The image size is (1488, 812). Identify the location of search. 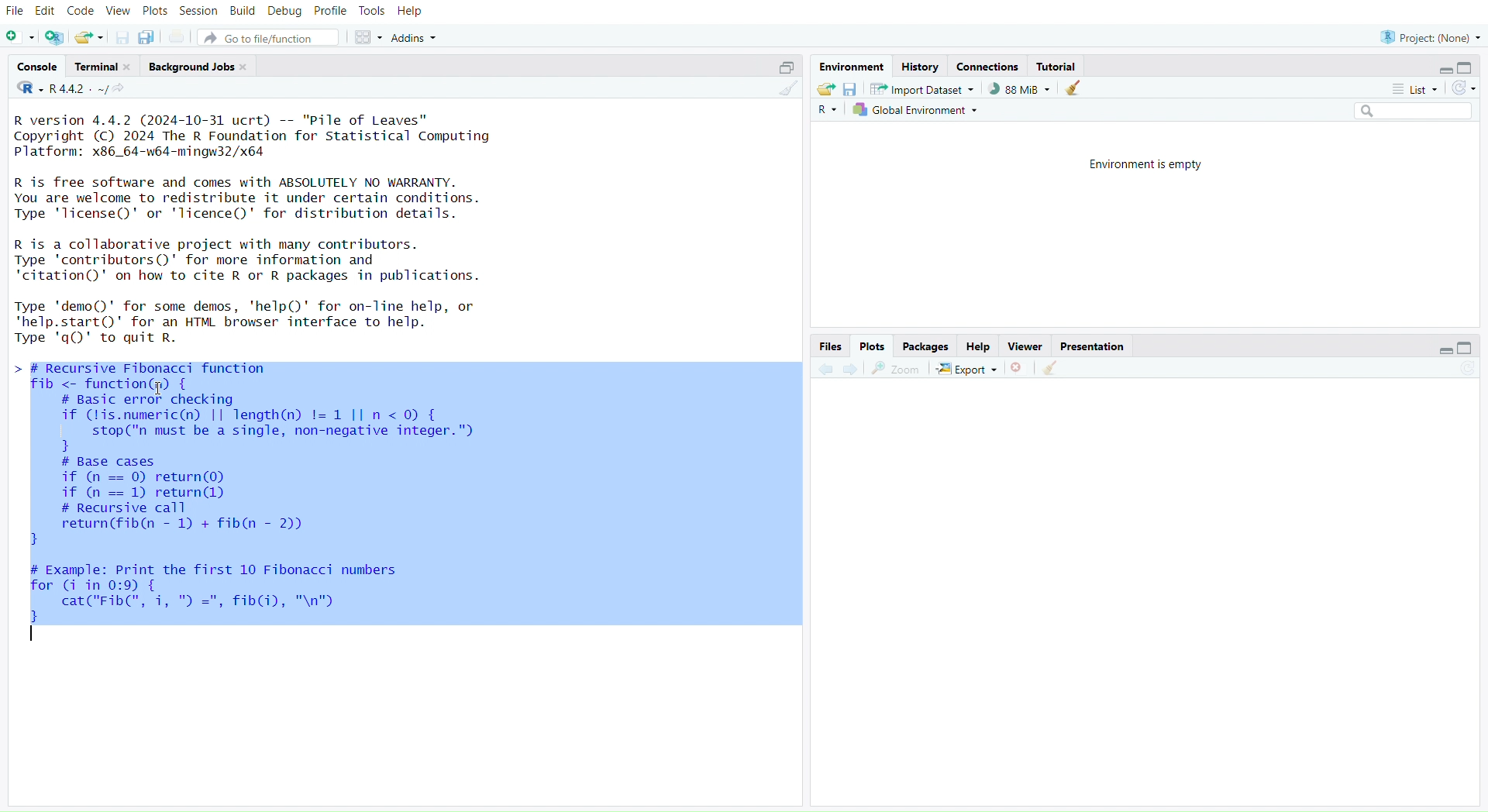
(1407, 111).